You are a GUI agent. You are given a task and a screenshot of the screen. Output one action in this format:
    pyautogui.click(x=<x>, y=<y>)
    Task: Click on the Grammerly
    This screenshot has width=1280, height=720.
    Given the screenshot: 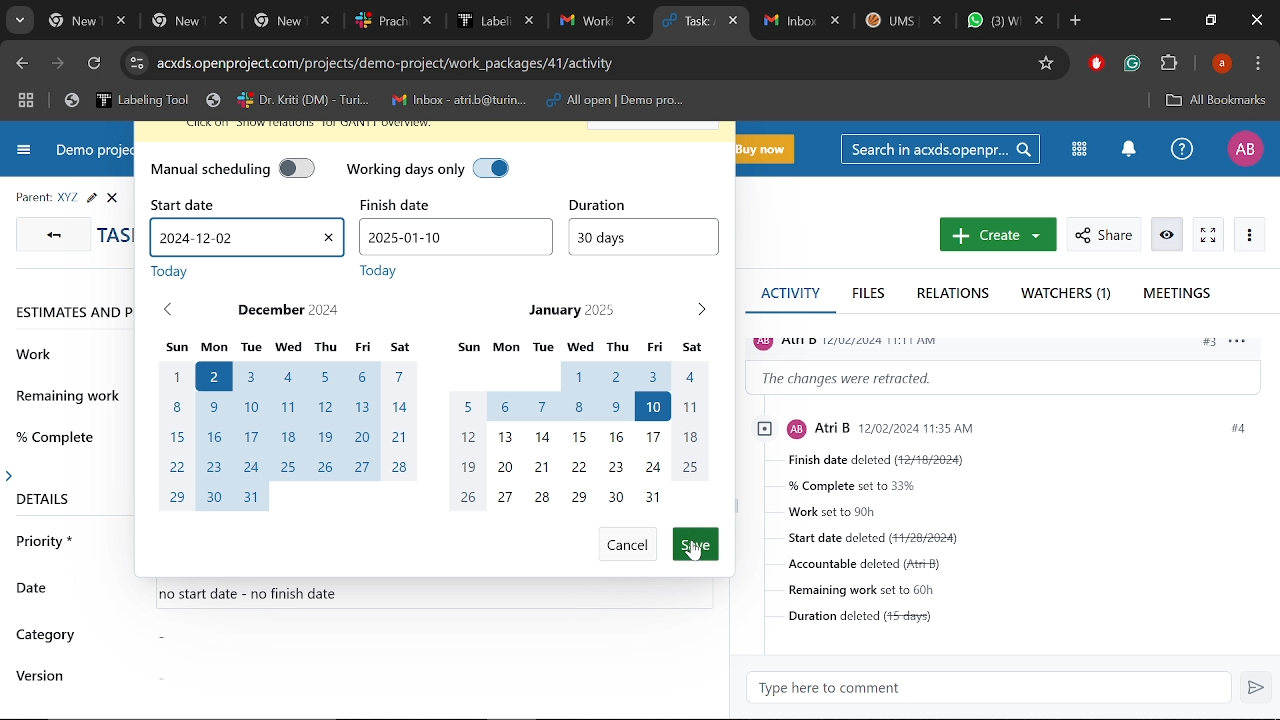 What is the action you would take?
    pyautogui.click(x=1132, y=64)
    